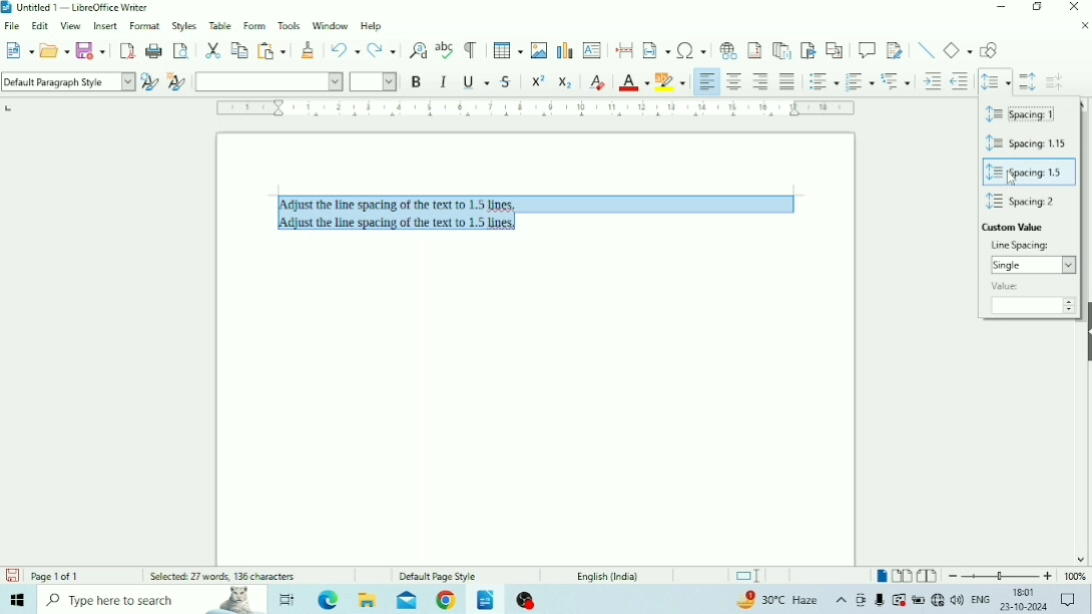  Describe the element at coordinates (995, 82) in the screenshot. I see `Set Line Spacing` at that location.